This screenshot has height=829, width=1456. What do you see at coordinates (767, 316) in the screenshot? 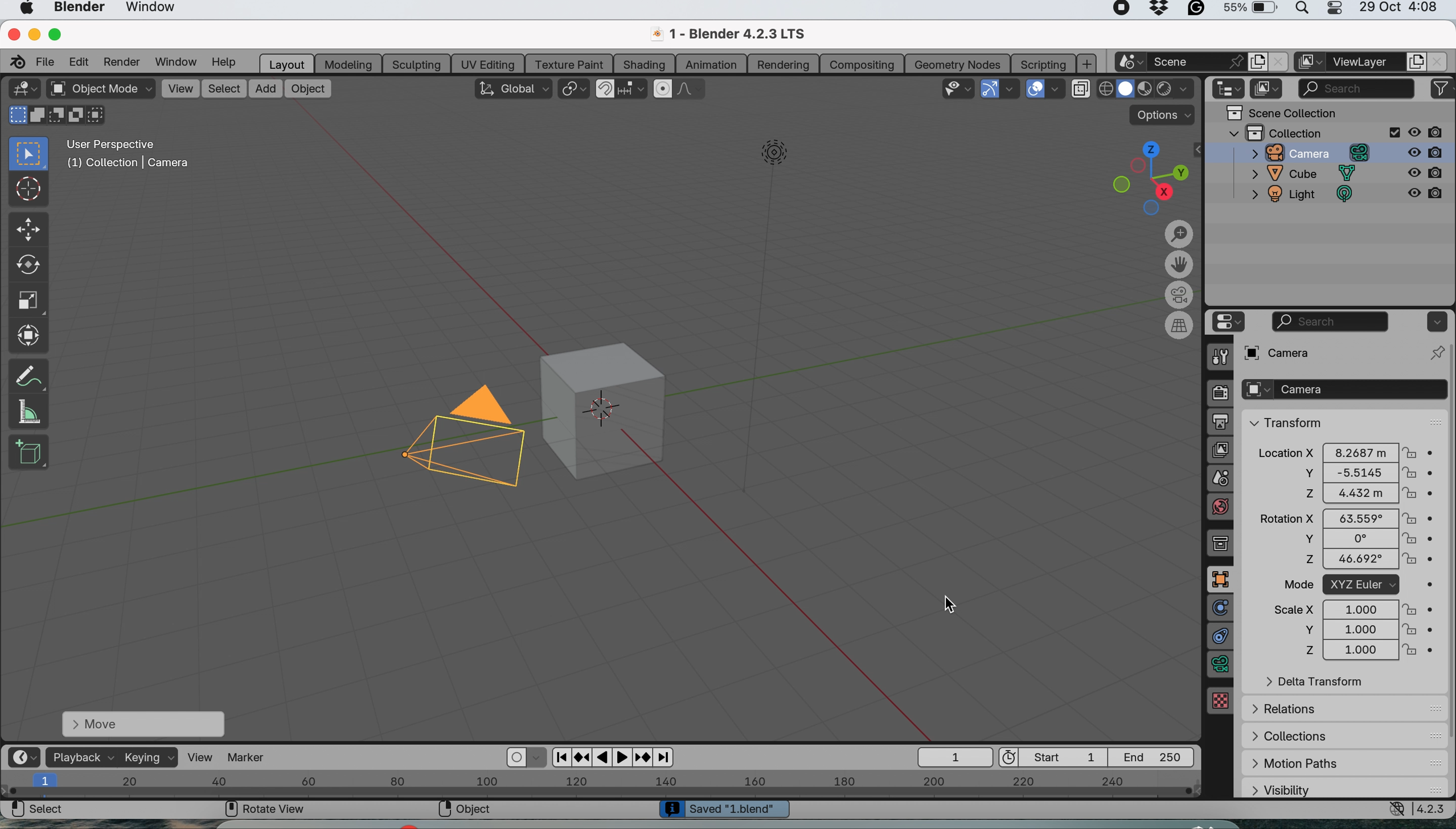
I see `light object` at bounding box center [767, 316].